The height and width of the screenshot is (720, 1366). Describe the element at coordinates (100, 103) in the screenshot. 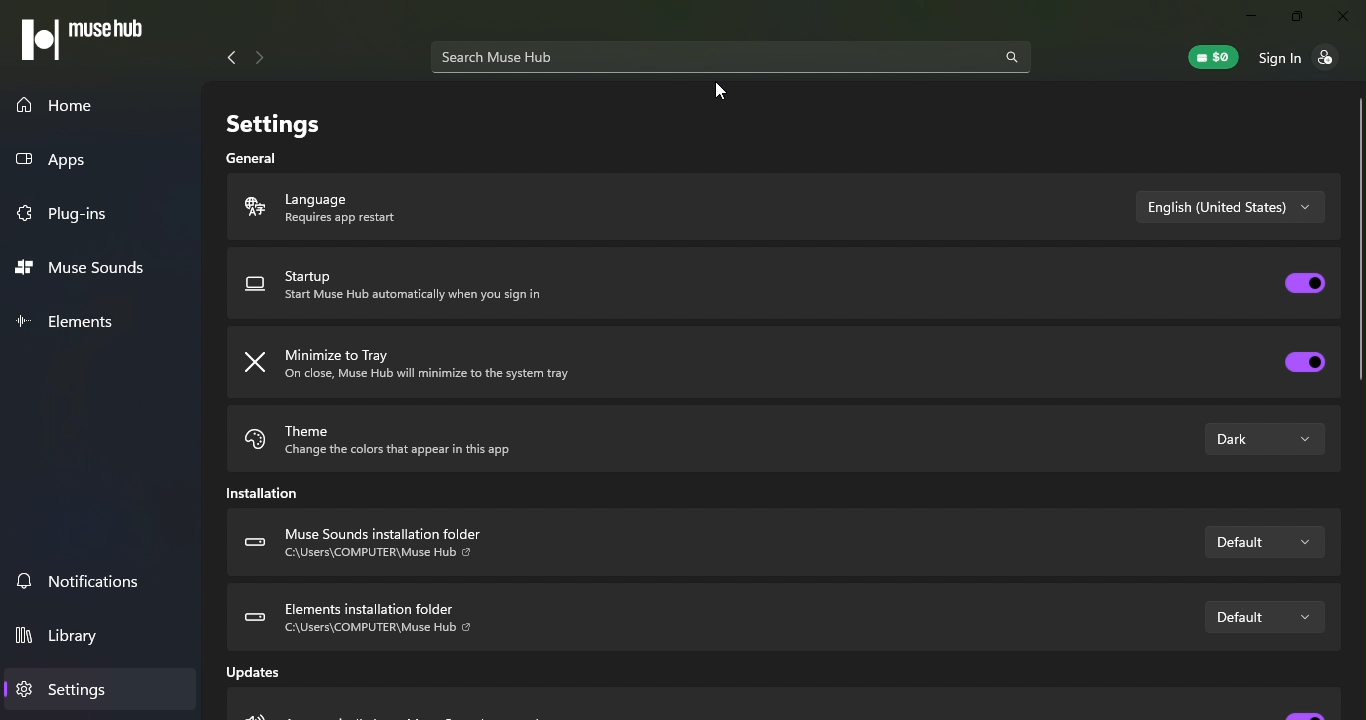

I see `Home` at that location.